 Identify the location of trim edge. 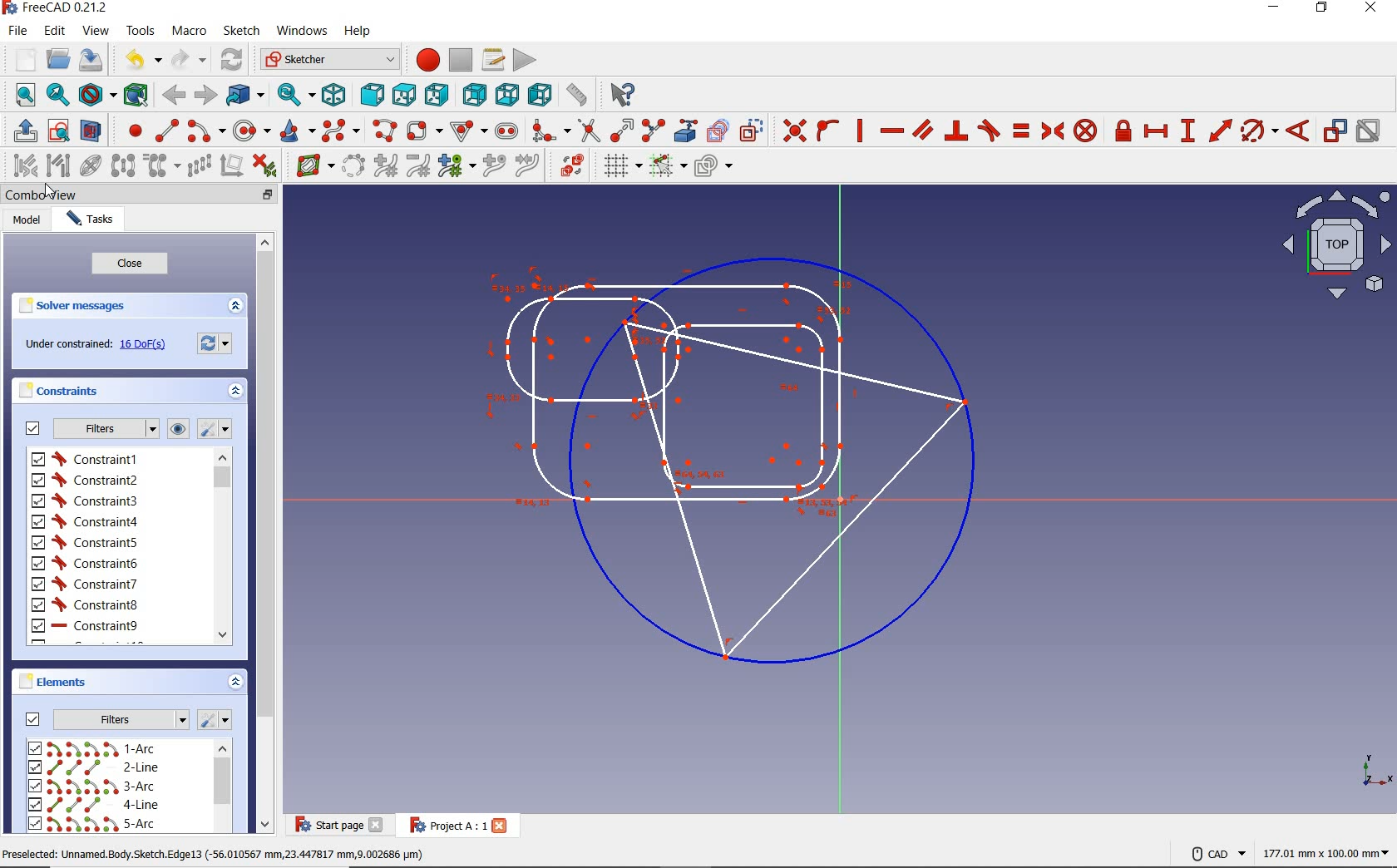
(586, 130).